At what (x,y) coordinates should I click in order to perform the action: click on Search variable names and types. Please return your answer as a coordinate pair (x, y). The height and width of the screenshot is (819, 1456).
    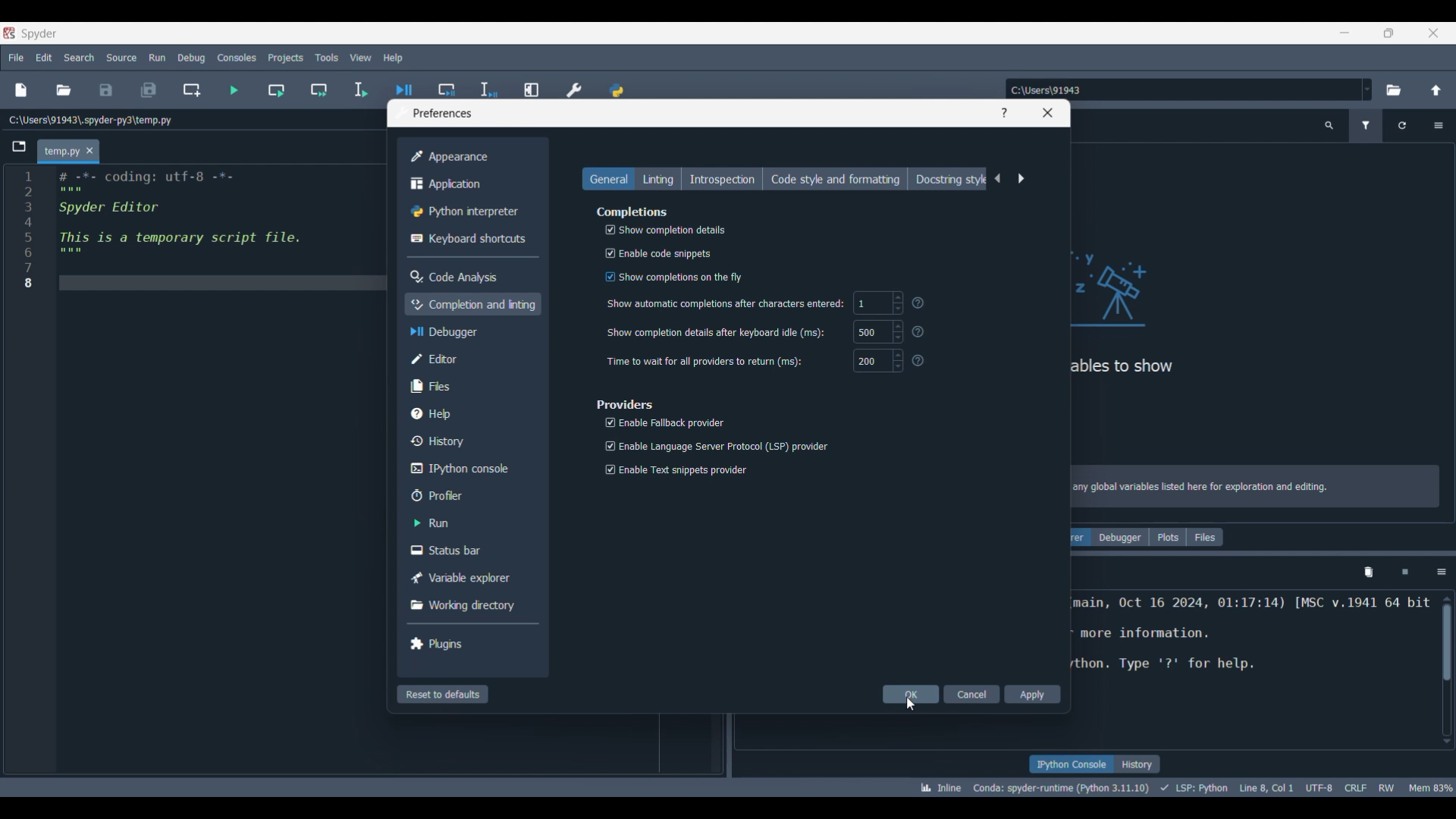
    Looking at the image, I should click on (1329, 126).